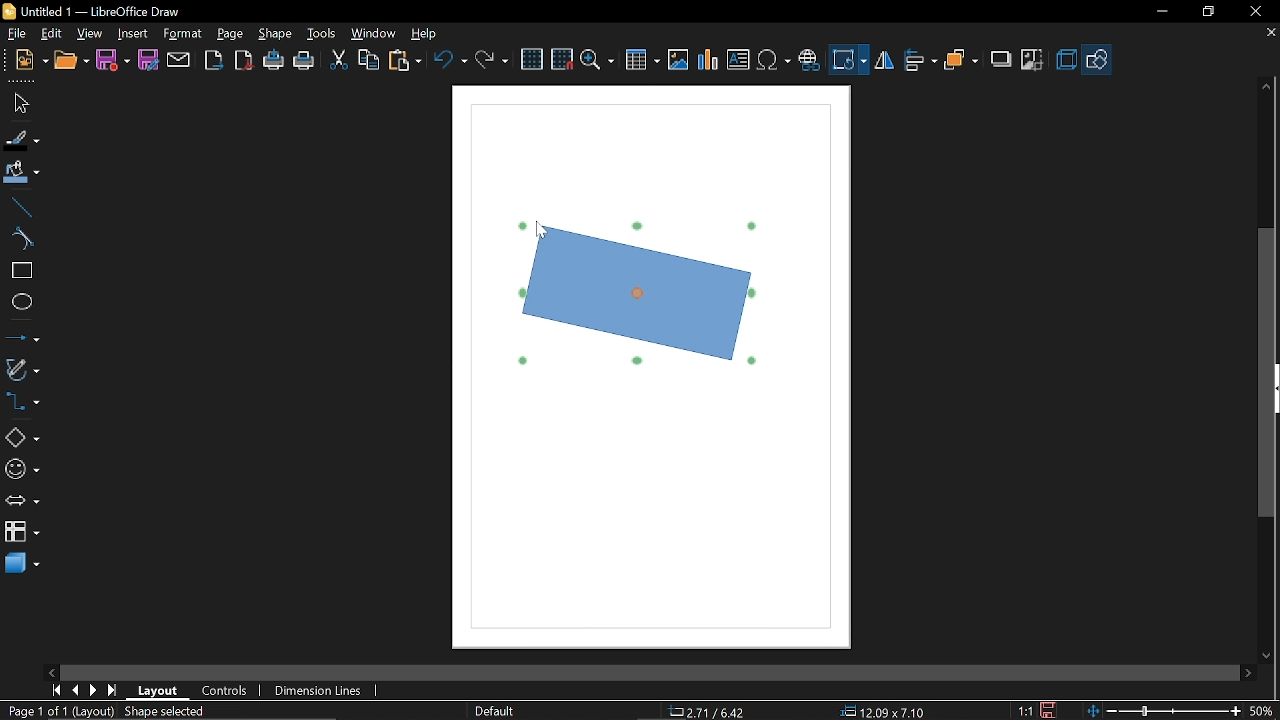 The image size is (1280, 720). Describe the element at coordinates (33, 711) in the screenshot. I see `Page 1 of 1` at that location.